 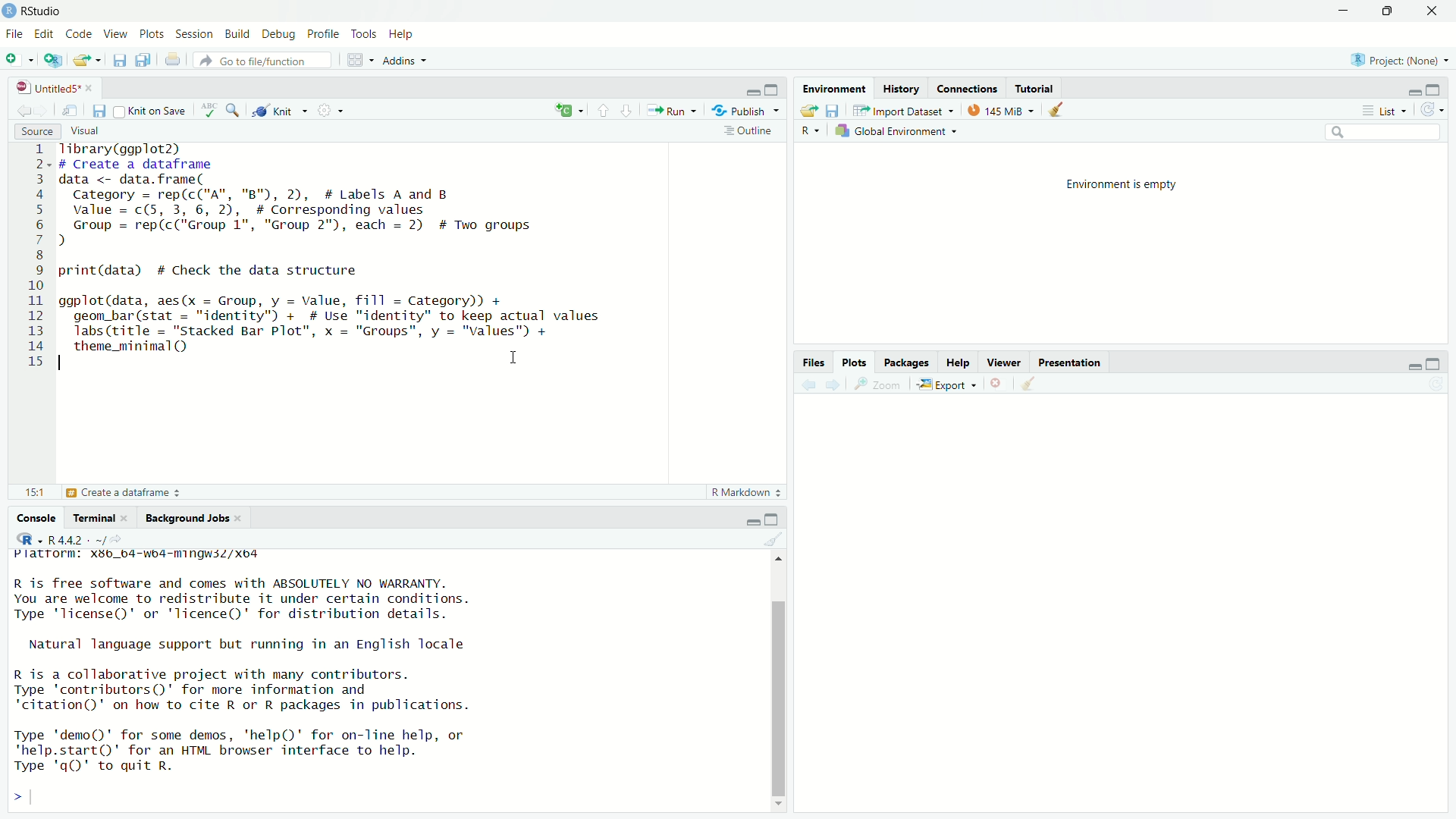 What do you see at coordinates (37, 257) in the screenshot?
I see `1 2 3 4 5 6 7 8 9 10 11 12 13 14 15` at bounding box center [37, 257].